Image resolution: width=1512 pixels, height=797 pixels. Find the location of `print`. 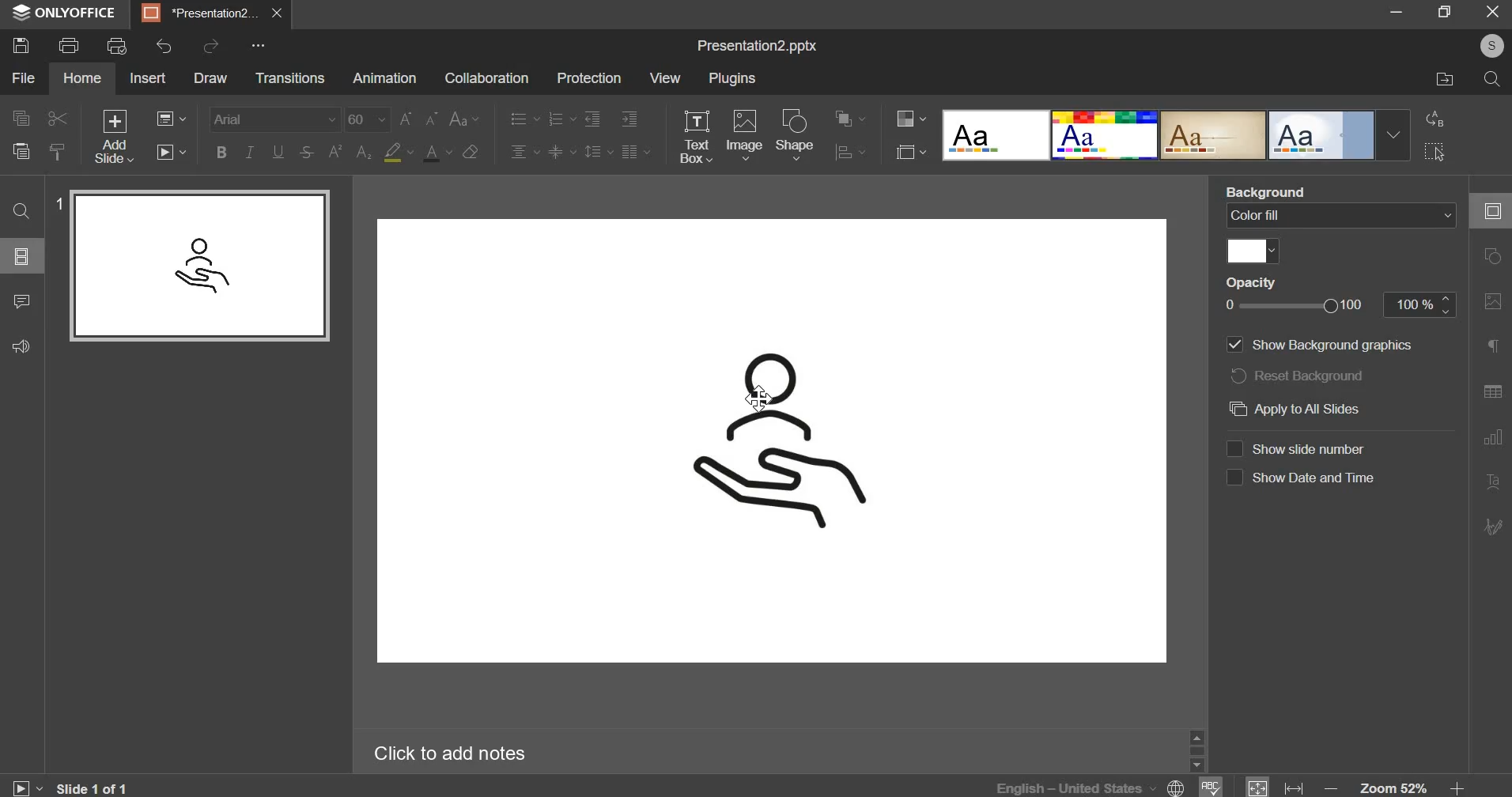

print is located at coordinates (68, 46).